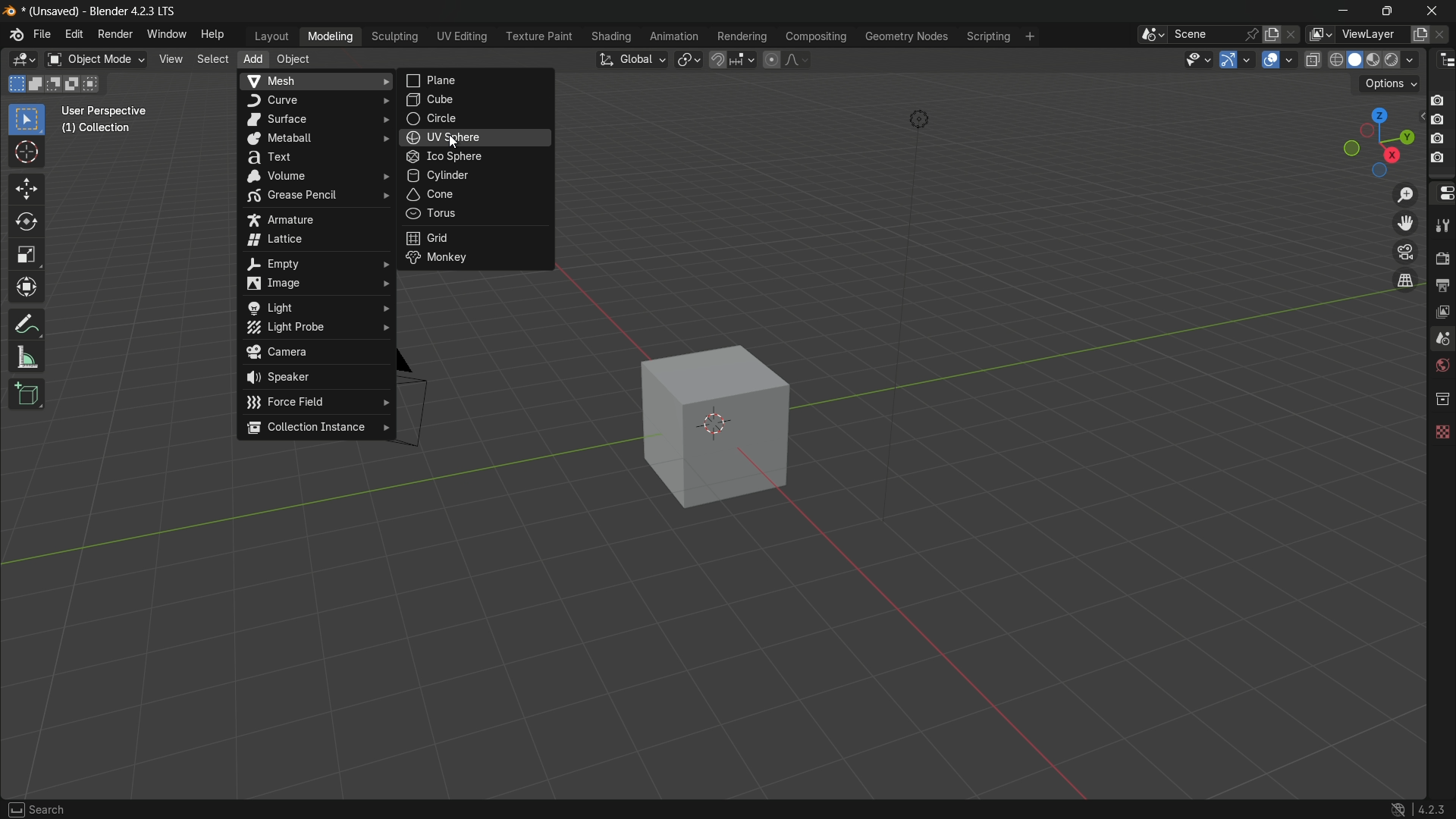 This screenshot has height=819, width=1456. What do you see at coordinates (331, 36) in the screenshot?
I see `modeling menu` at bounding box center [331, 36].